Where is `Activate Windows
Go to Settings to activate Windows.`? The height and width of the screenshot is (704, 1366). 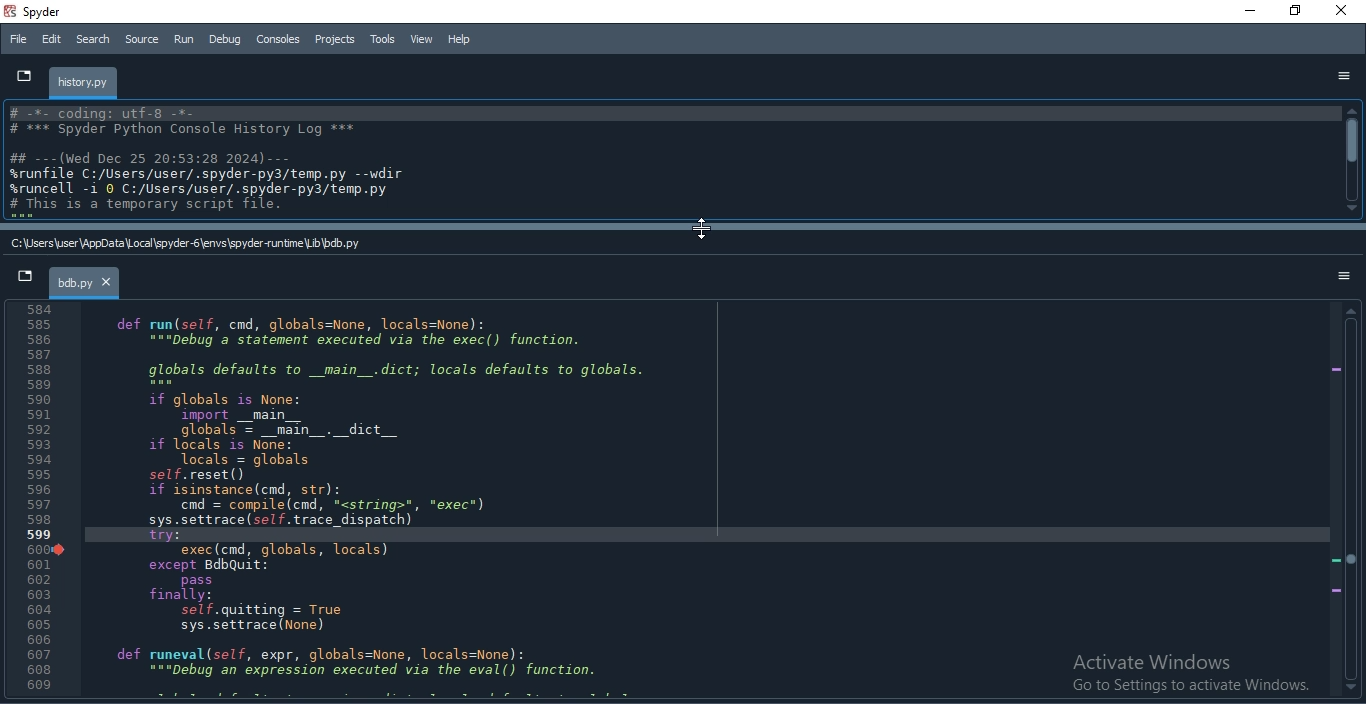
Activate Windows
Go to Settings to activate Windows. is located at coordinates (1184, 674).